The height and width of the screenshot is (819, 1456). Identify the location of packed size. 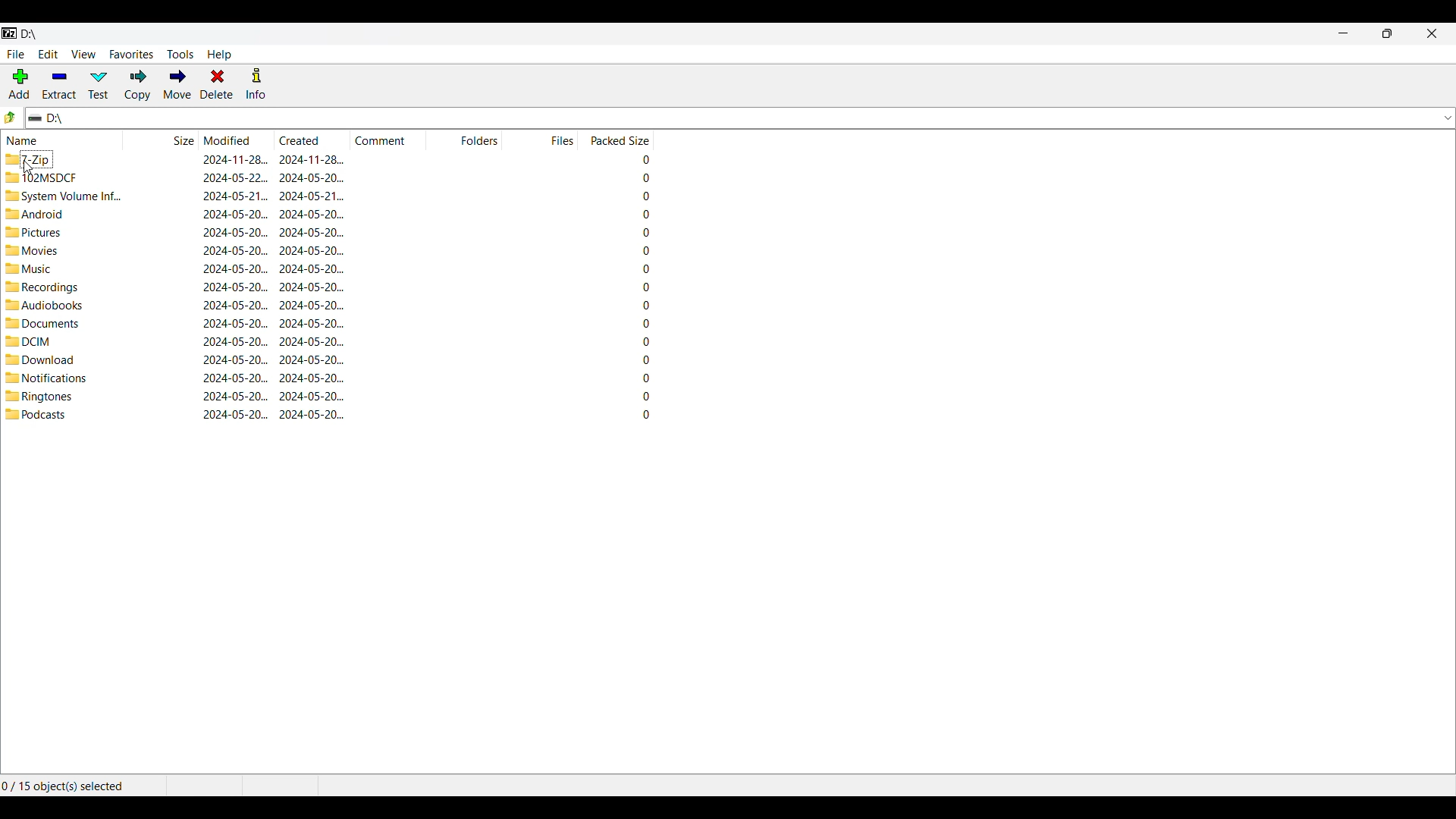
(642, 249).